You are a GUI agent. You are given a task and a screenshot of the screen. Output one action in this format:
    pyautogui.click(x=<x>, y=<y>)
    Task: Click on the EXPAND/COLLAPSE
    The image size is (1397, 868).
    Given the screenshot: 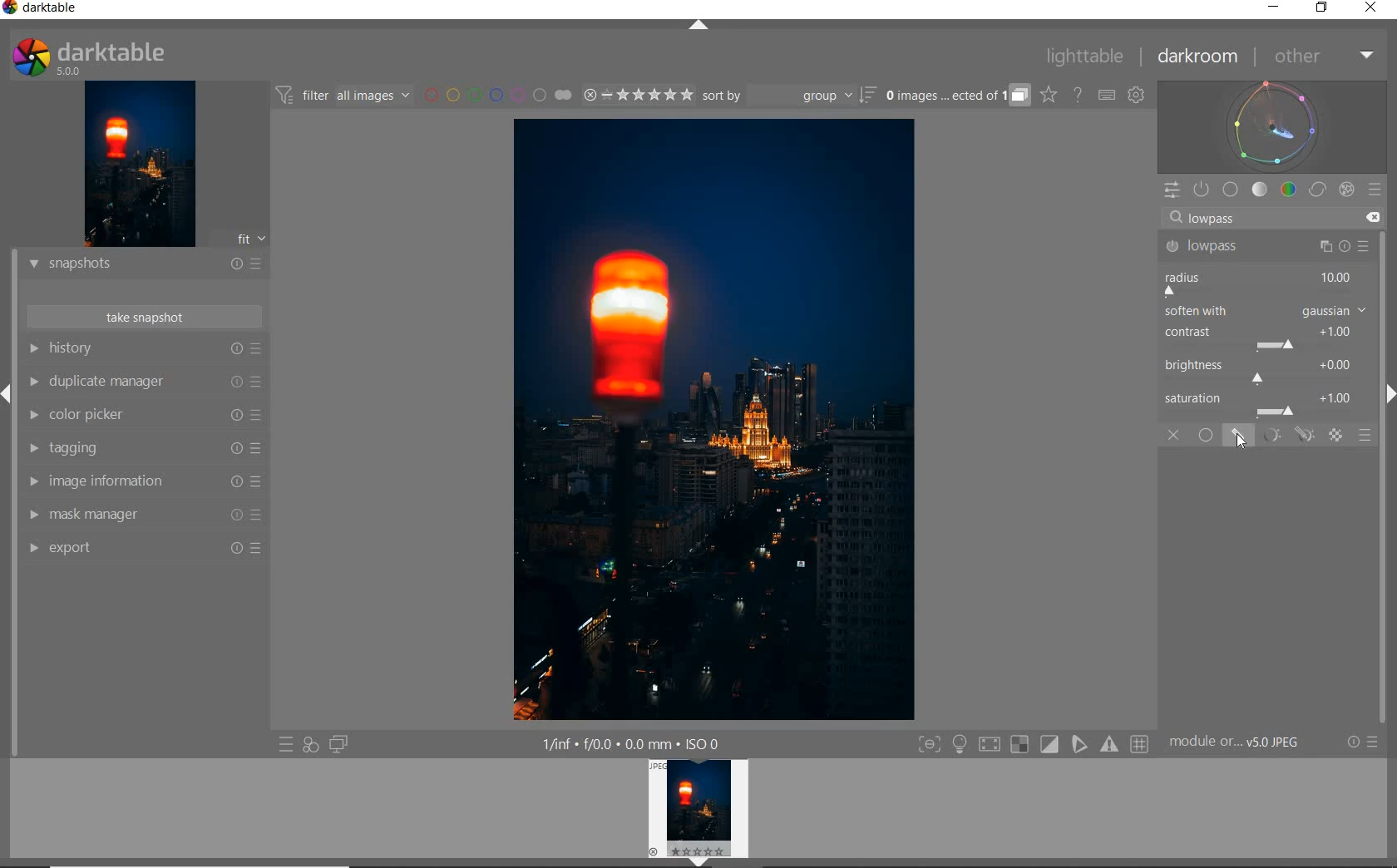 What is the action you would take?
    pyautogui.click(x=8, y=391)
    